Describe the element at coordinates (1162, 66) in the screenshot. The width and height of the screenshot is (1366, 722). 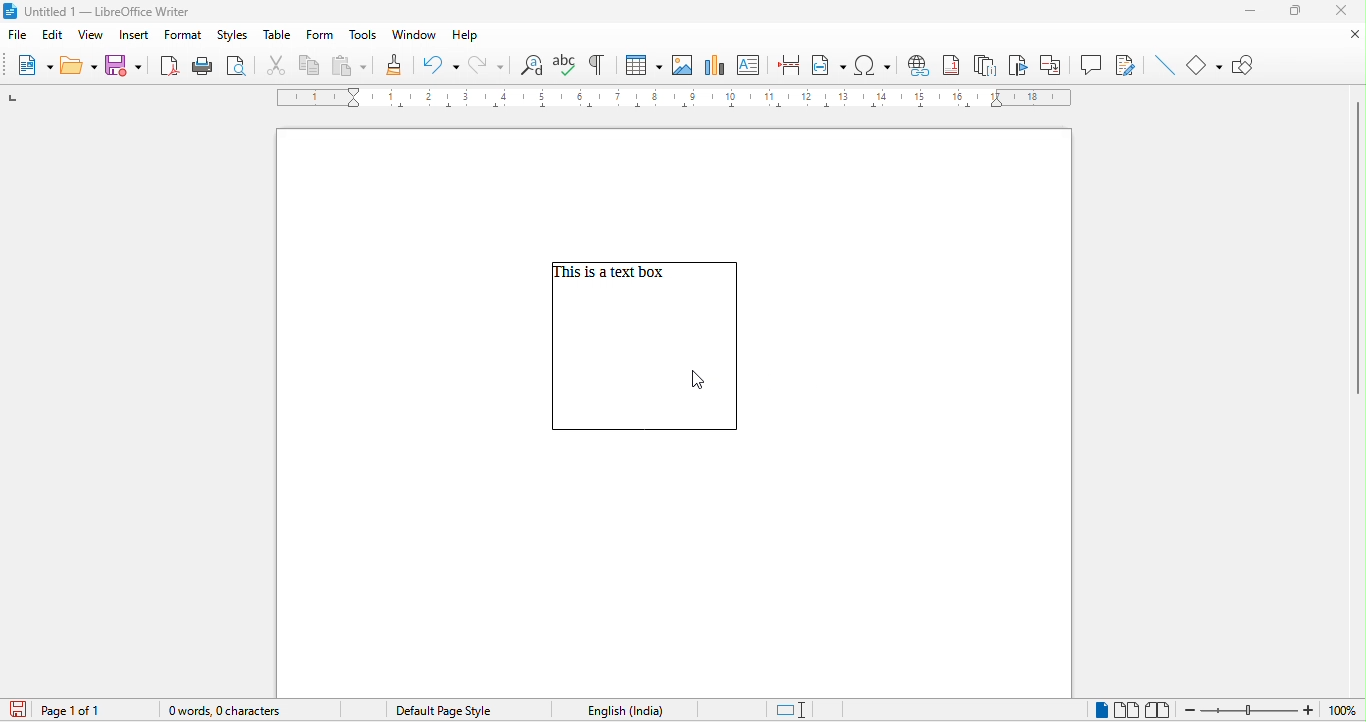
I see `insert line` at that location.